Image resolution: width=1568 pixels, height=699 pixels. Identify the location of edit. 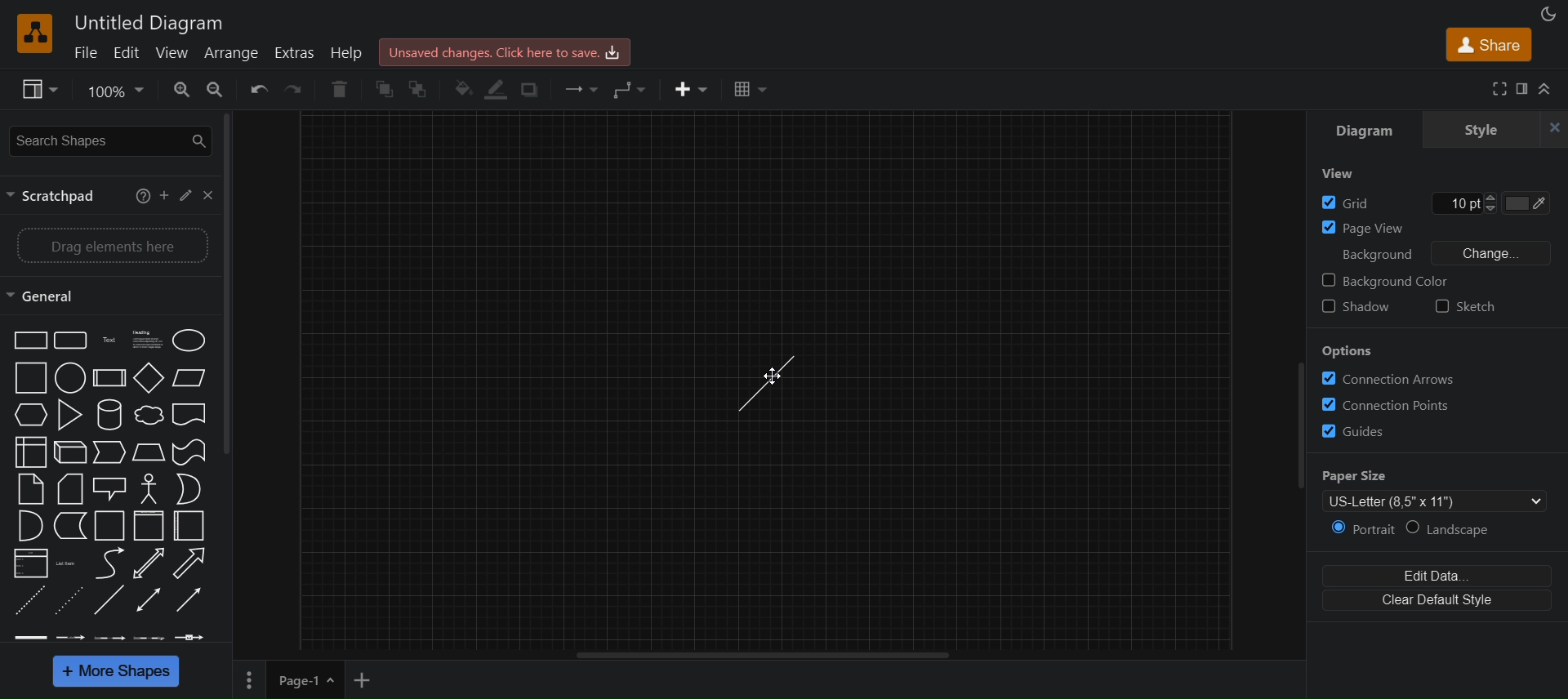
(184, 195).